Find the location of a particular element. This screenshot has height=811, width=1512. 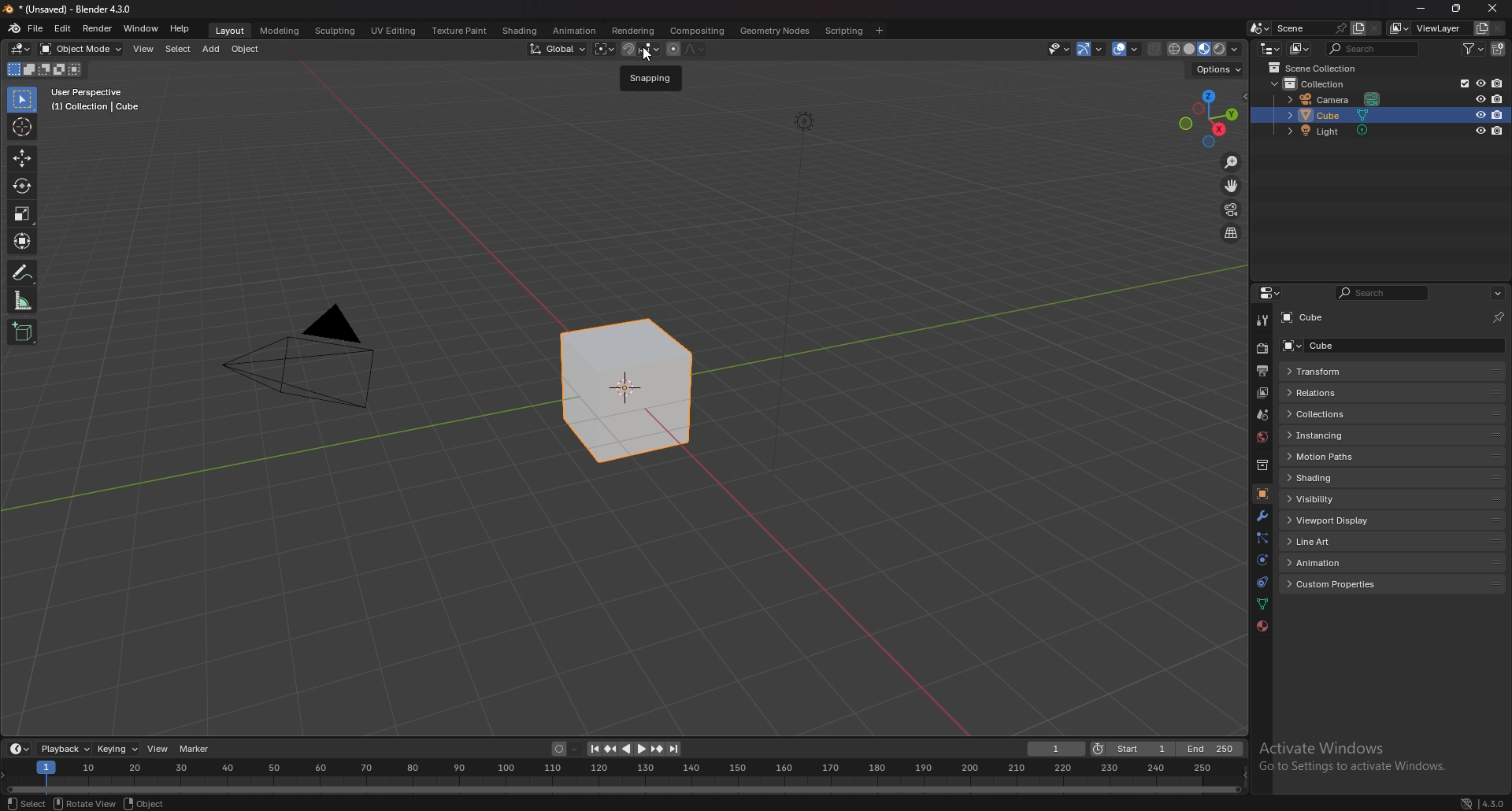

compositing is located at coordinates (699, 31).